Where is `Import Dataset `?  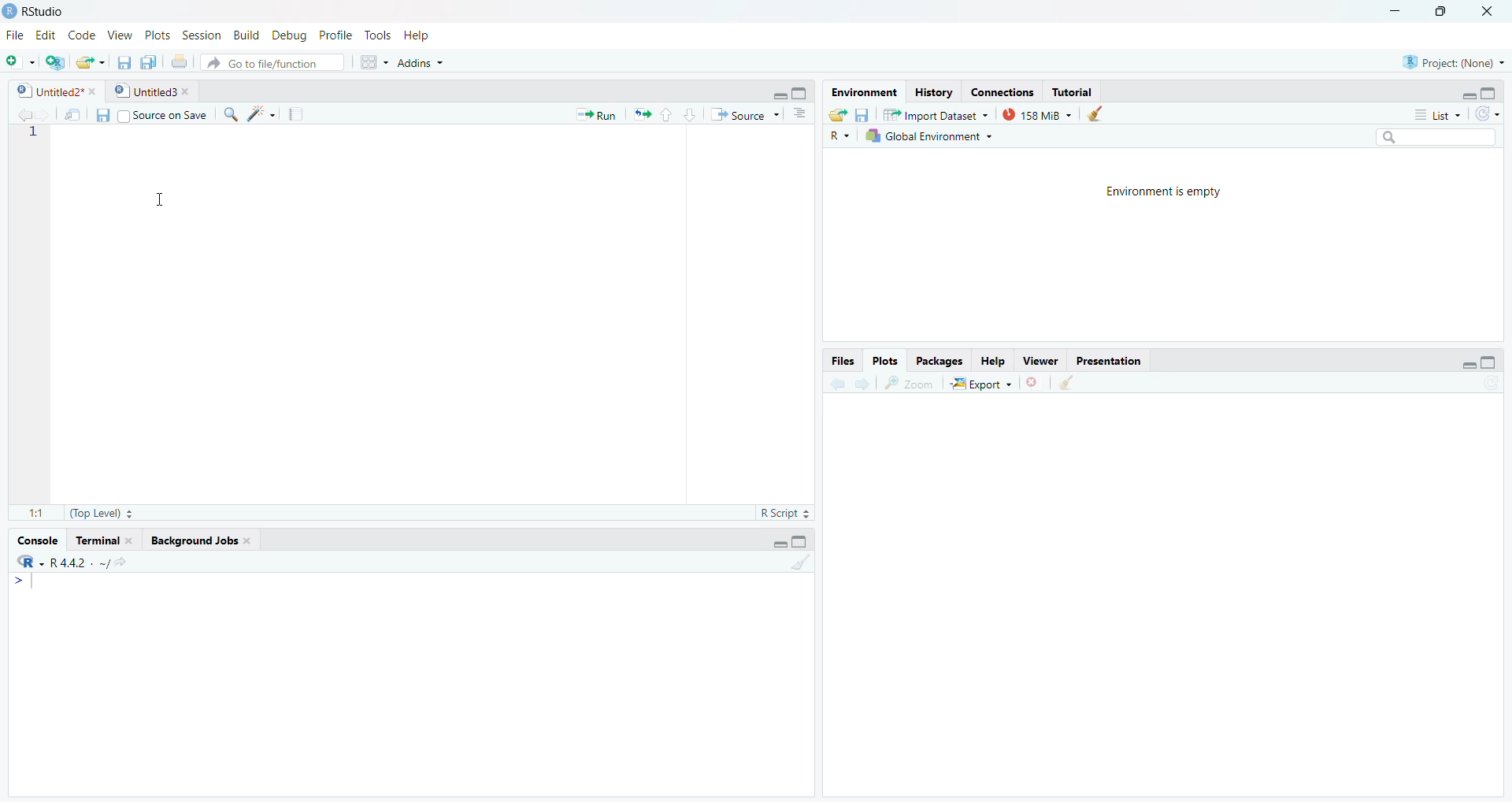 Import Dataset  is located at coordinates (941, 113).